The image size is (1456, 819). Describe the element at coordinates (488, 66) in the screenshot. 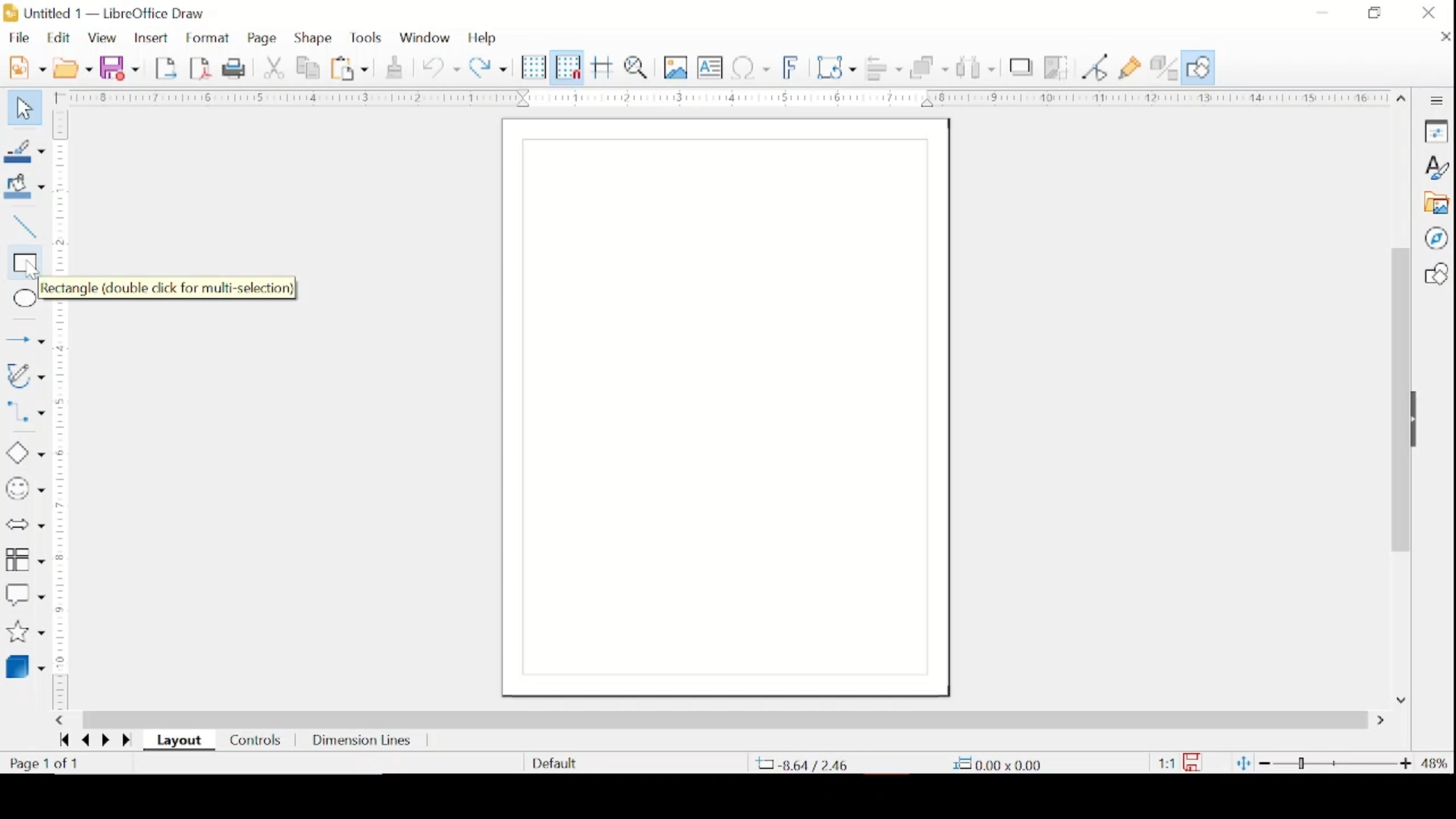

I see `redo` at that location.